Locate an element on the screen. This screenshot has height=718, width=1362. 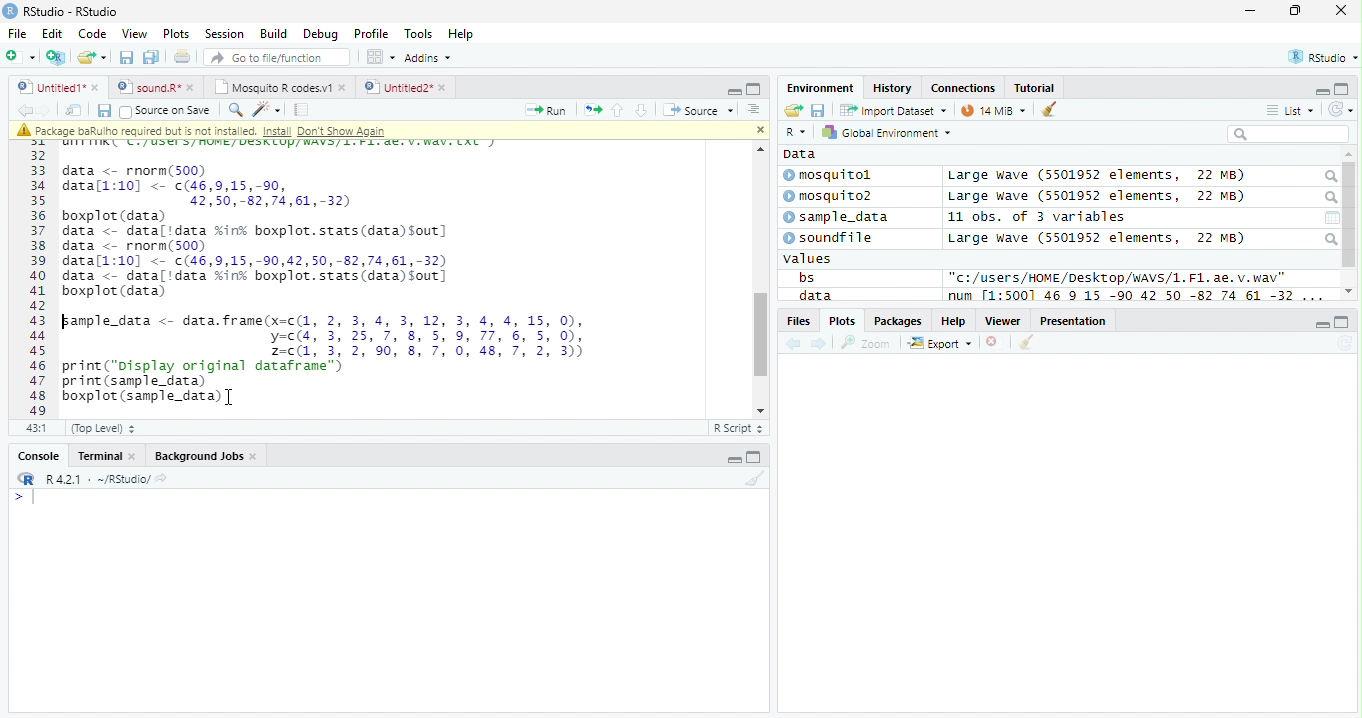
11 obs. of 3 variables is located at coordinates (1037, 217).